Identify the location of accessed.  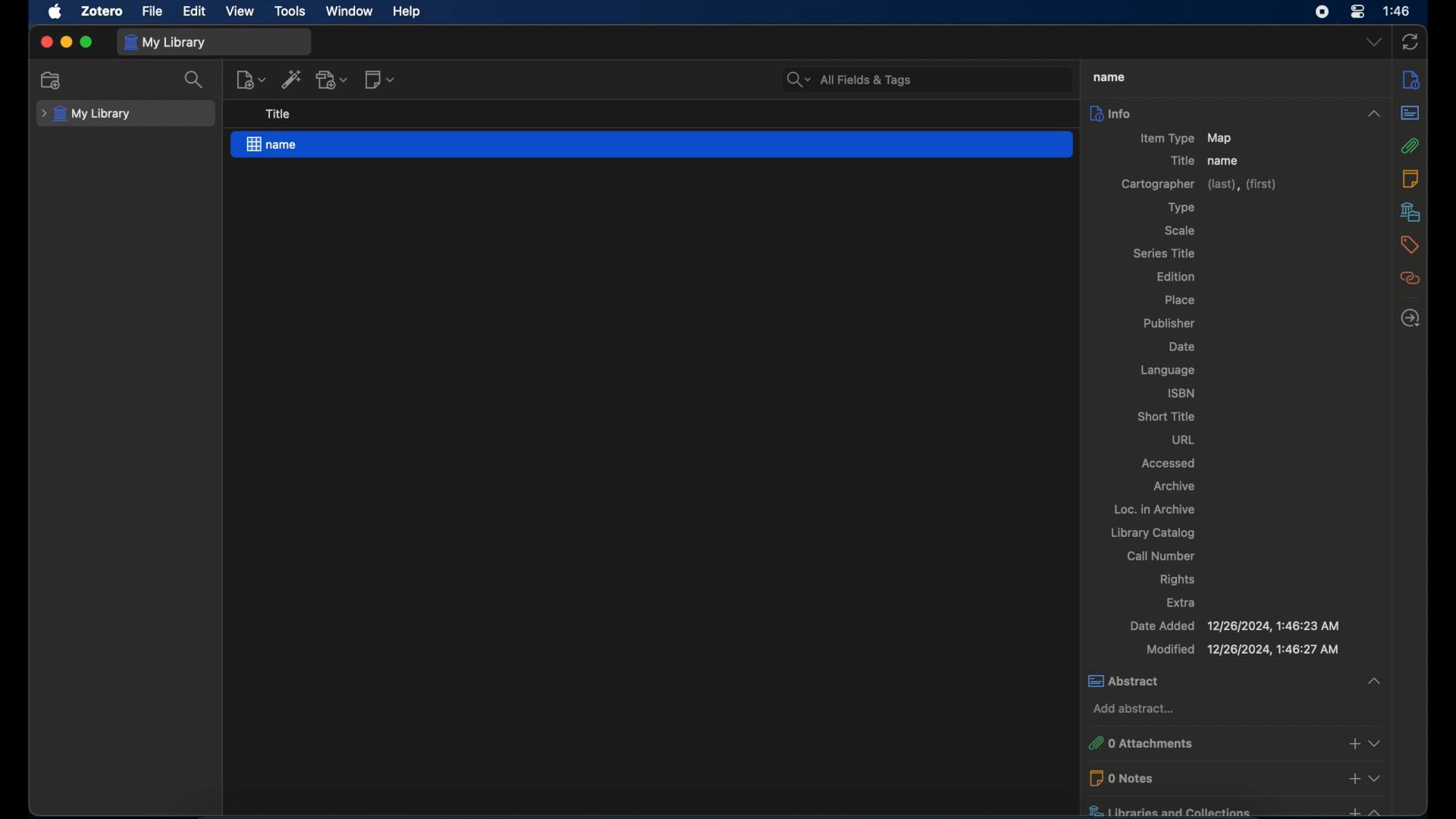
(1169, 462).